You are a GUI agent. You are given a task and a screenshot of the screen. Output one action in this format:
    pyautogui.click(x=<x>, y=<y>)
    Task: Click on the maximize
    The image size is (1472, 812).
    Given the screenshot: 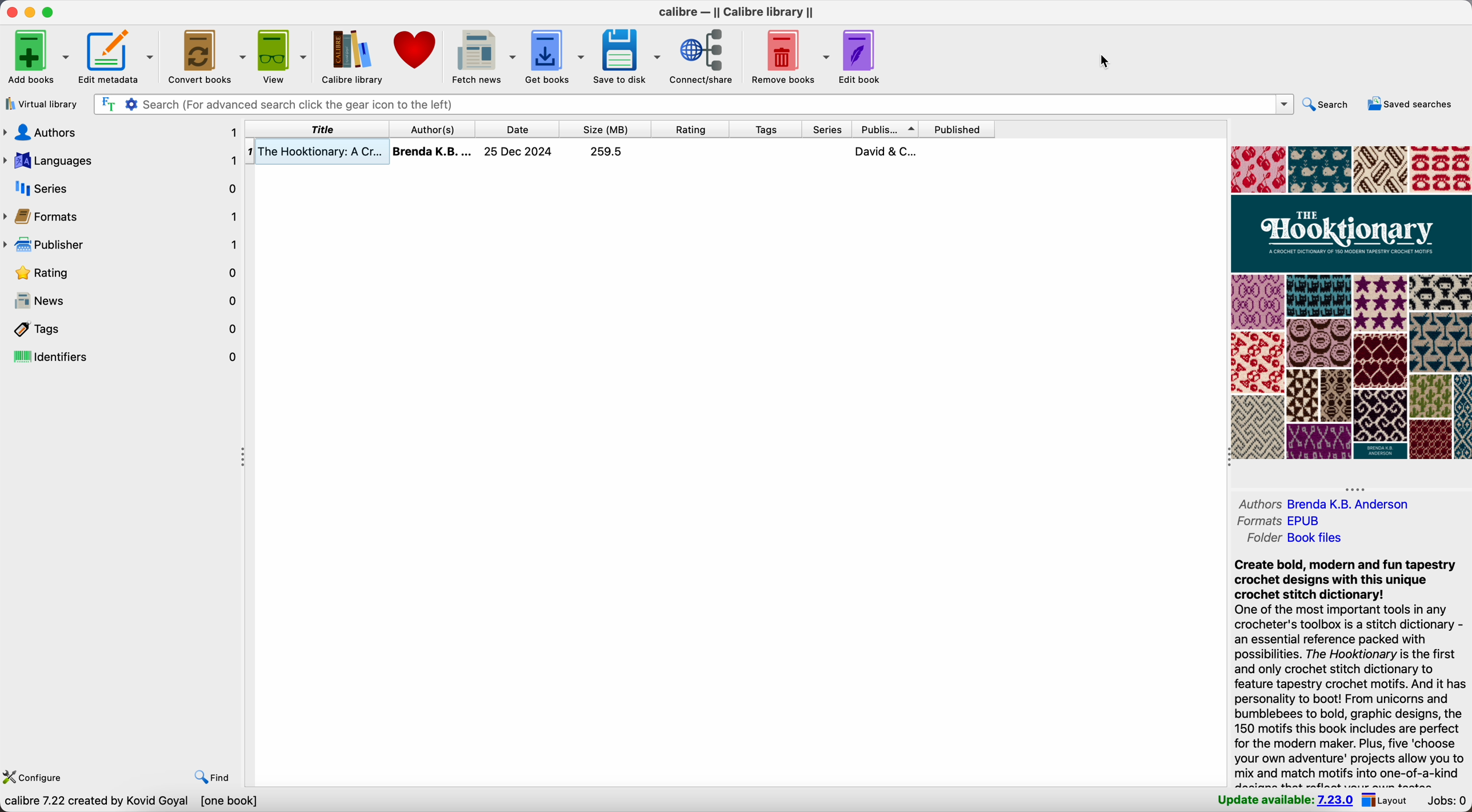 What is the action you would take?
    pyautogui.click(x=49, y=11)
    